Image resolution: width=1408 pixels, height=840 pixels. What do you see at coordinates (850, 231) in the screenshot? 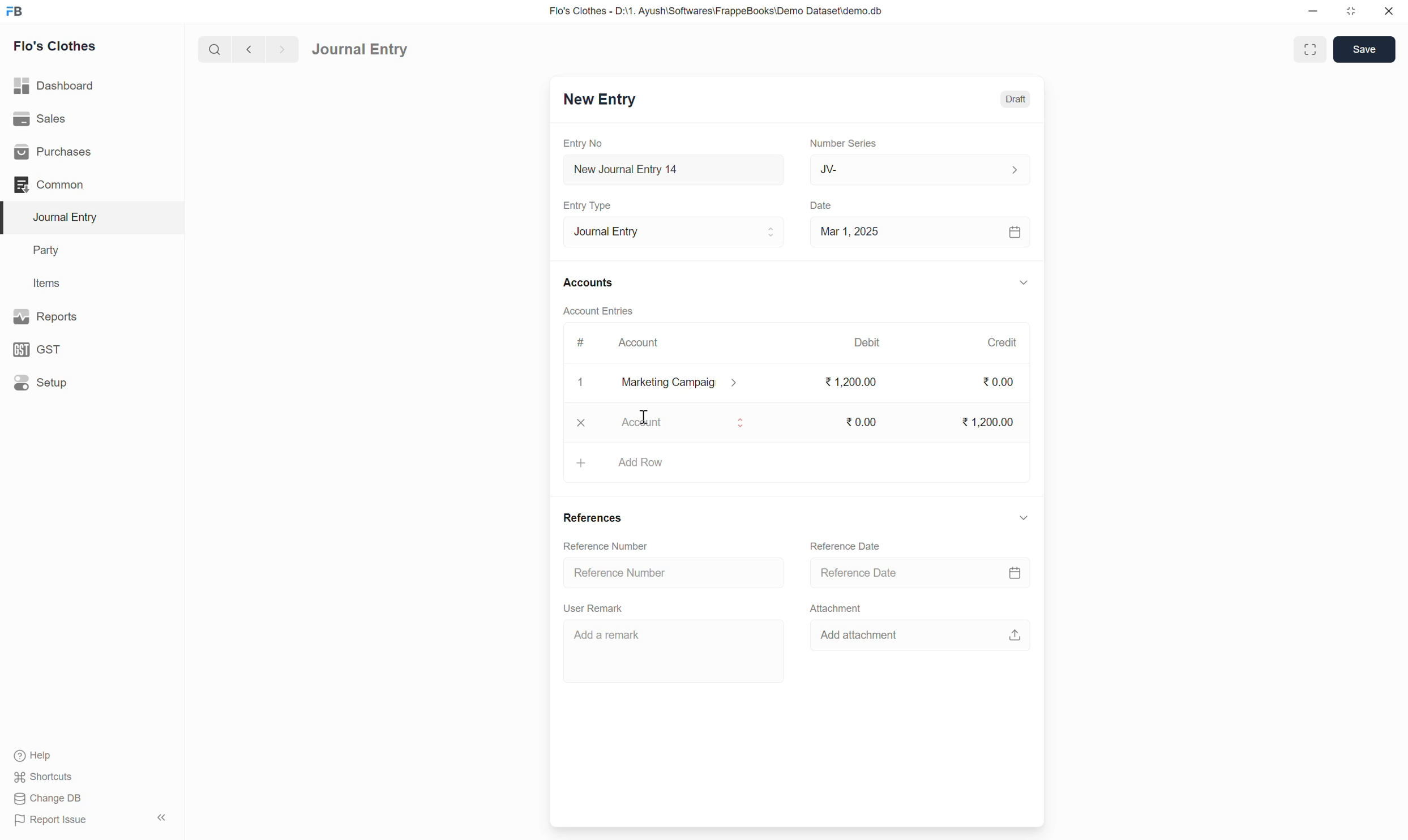
I see `Mar 1, 2025` at bounding box center [850, 231].